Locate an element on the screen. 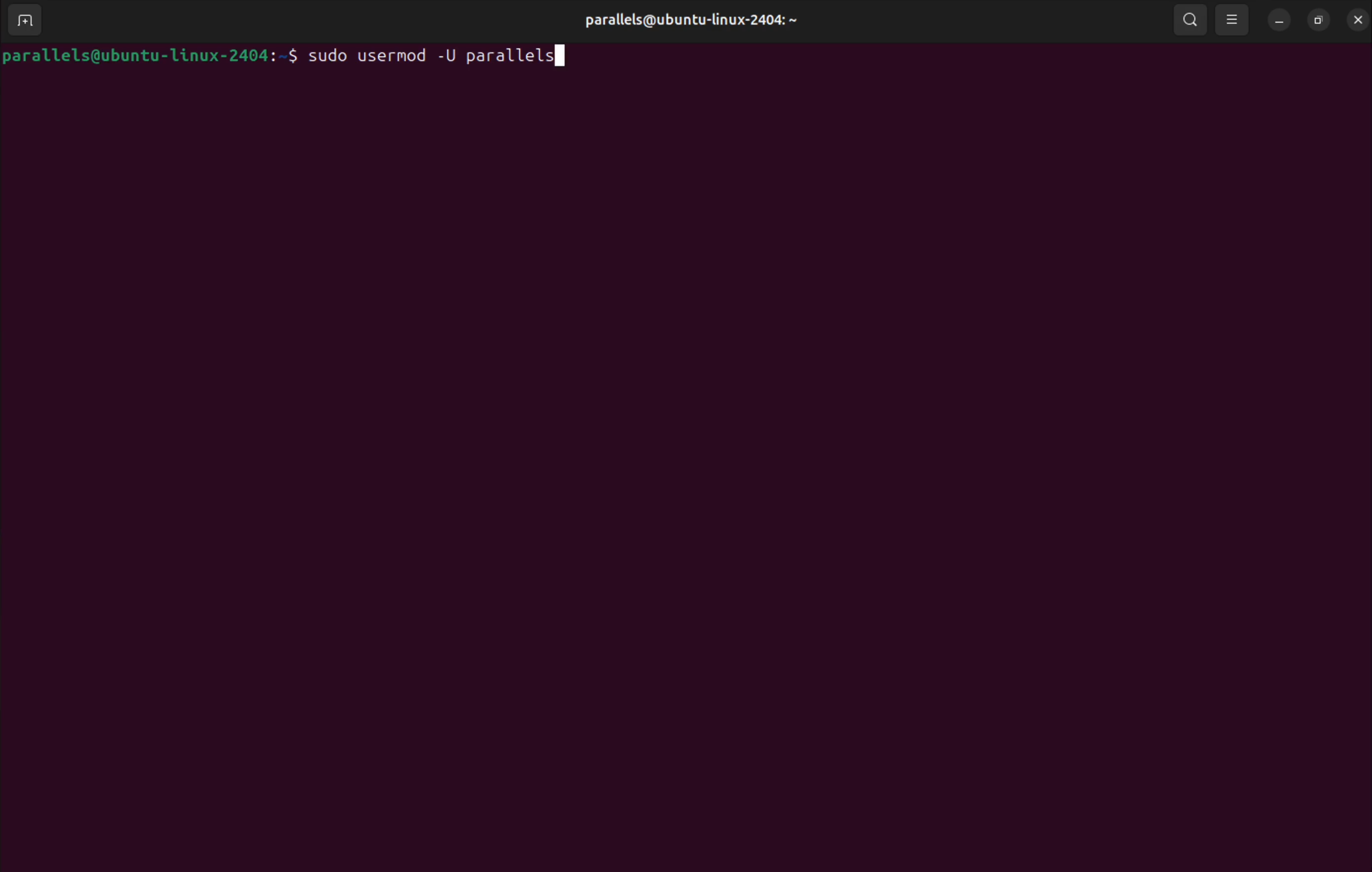 The width and height of the screenshot is (1372, 872). user profile is located at coordinates (687, 21).